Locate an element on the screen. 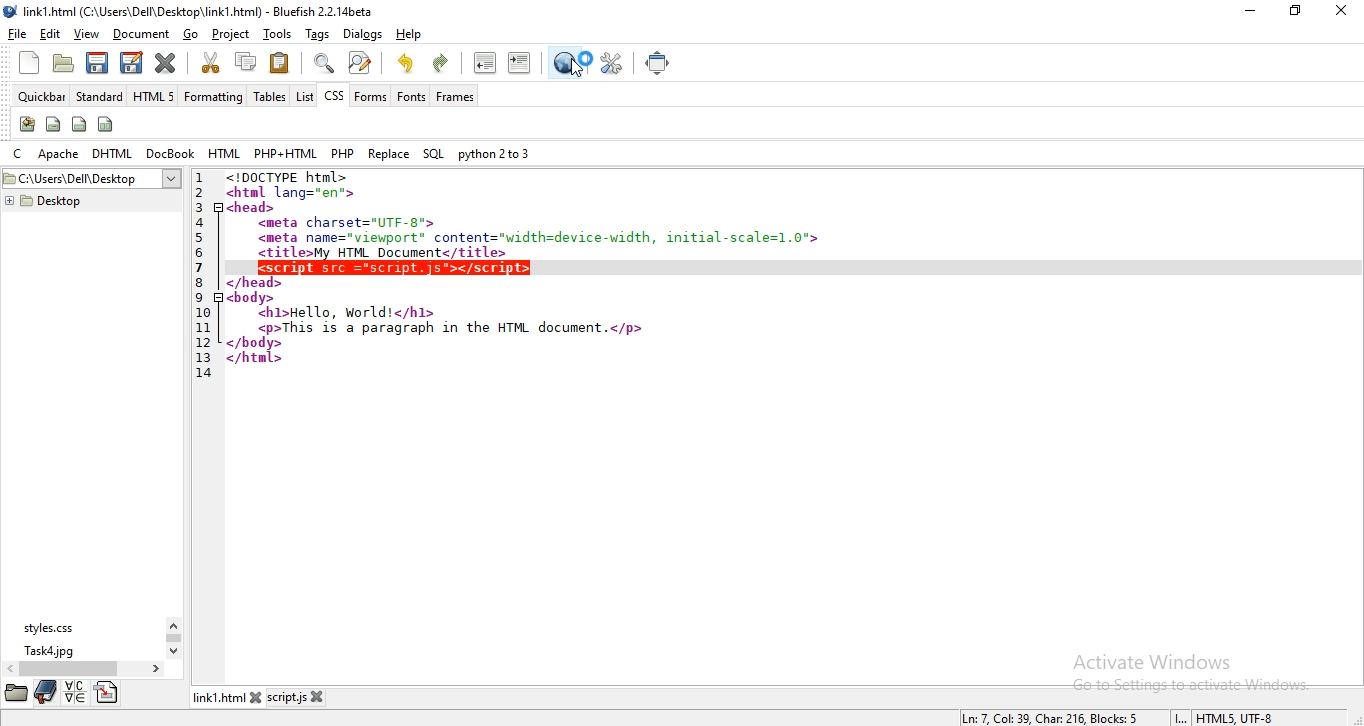  12 is located at coordinates (203, 344).